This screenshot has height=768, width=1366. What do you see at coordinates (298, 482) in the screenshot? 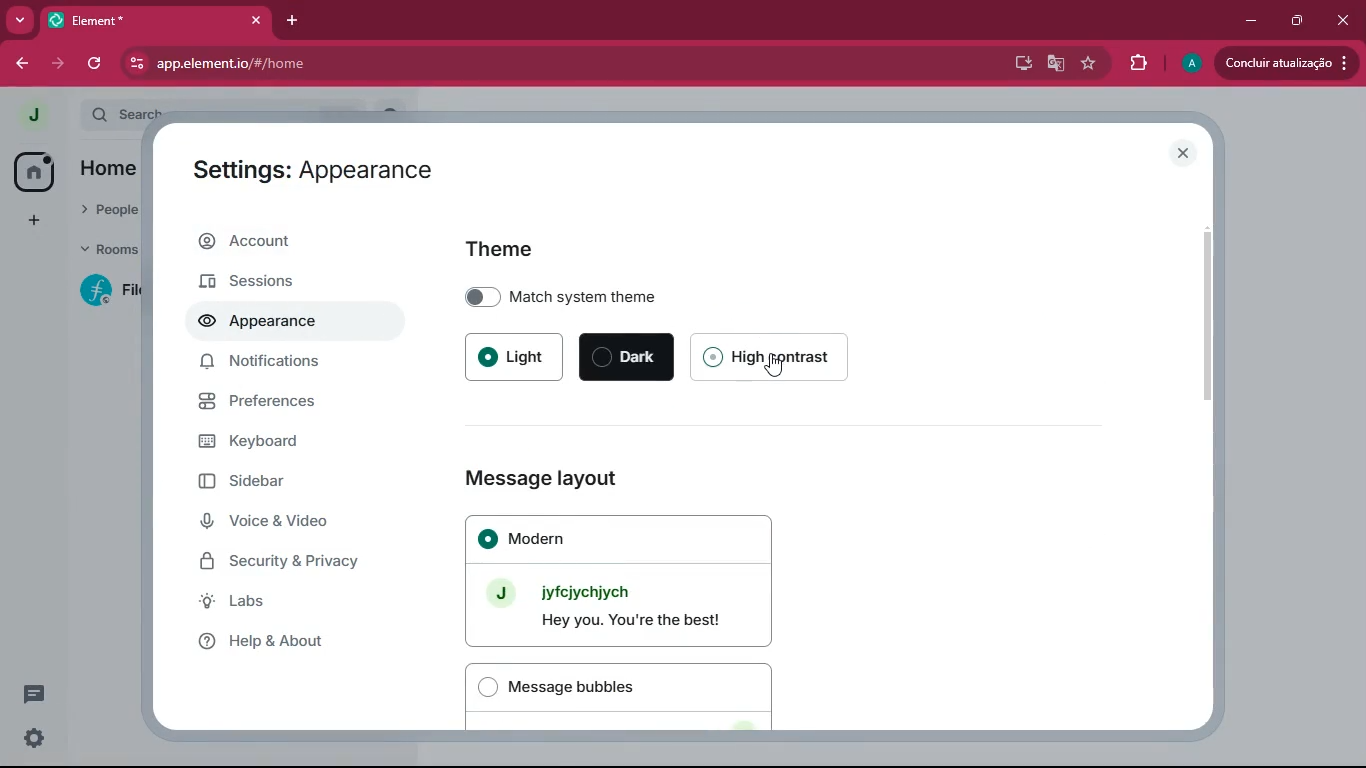
I see `sidebar` at bounding box center [298, 482].